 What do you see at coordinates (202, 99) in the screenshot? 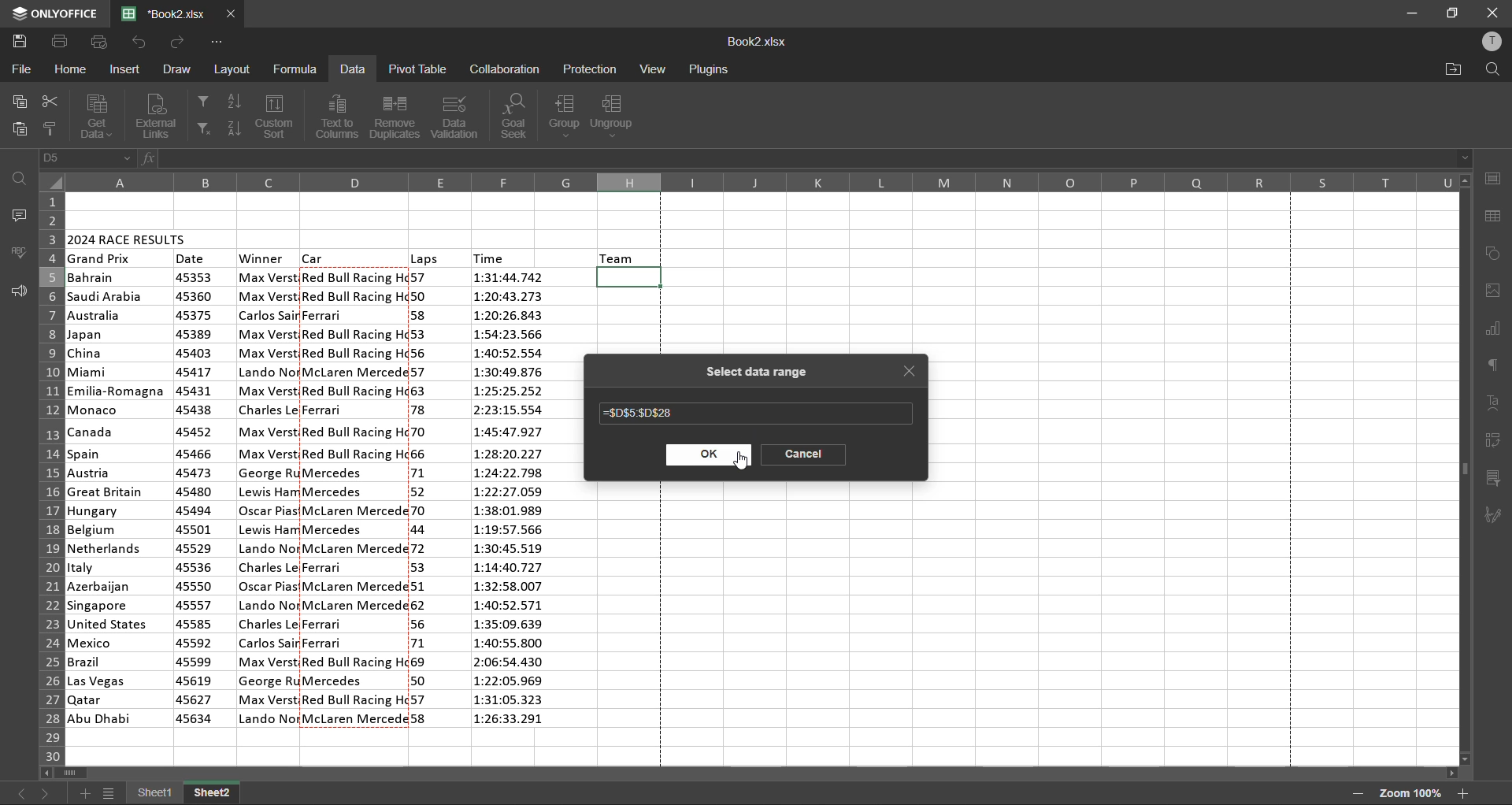
I see `filter` at bounding box center [202, 99].